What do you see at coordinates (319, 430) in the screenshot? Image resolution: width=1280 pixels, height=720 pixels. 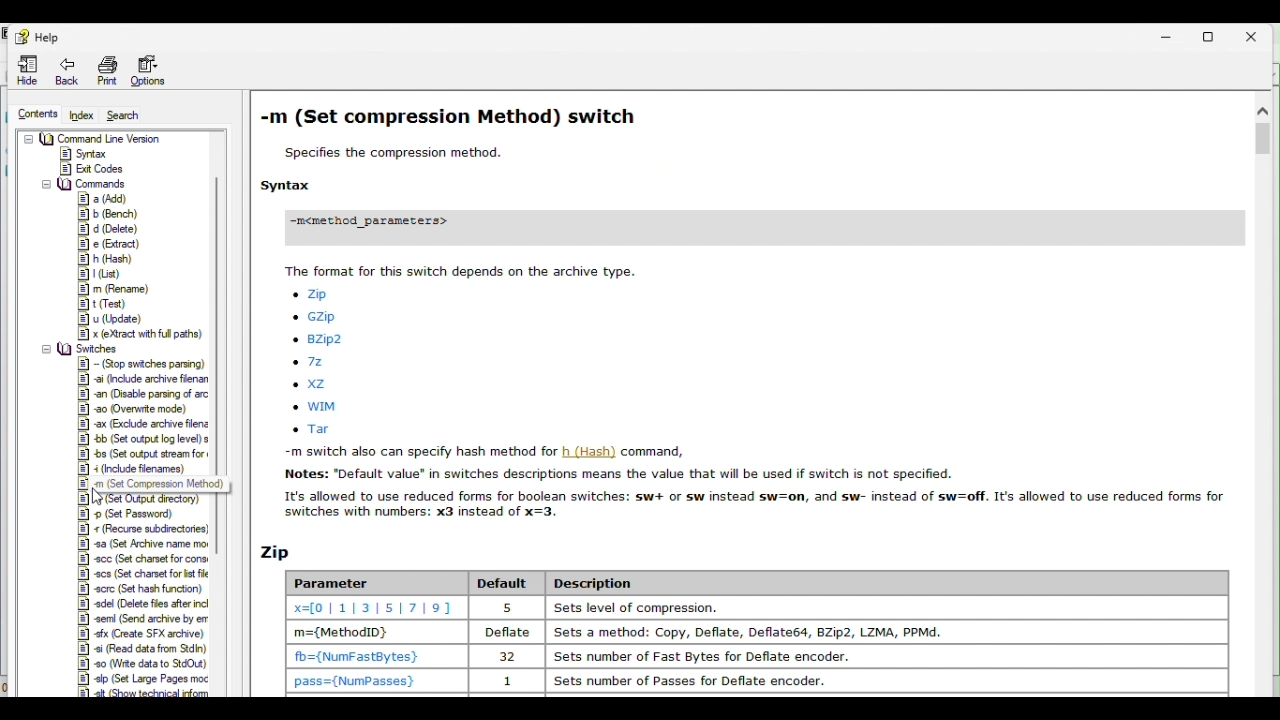 I see `tar` at bounding box center [319, 430].